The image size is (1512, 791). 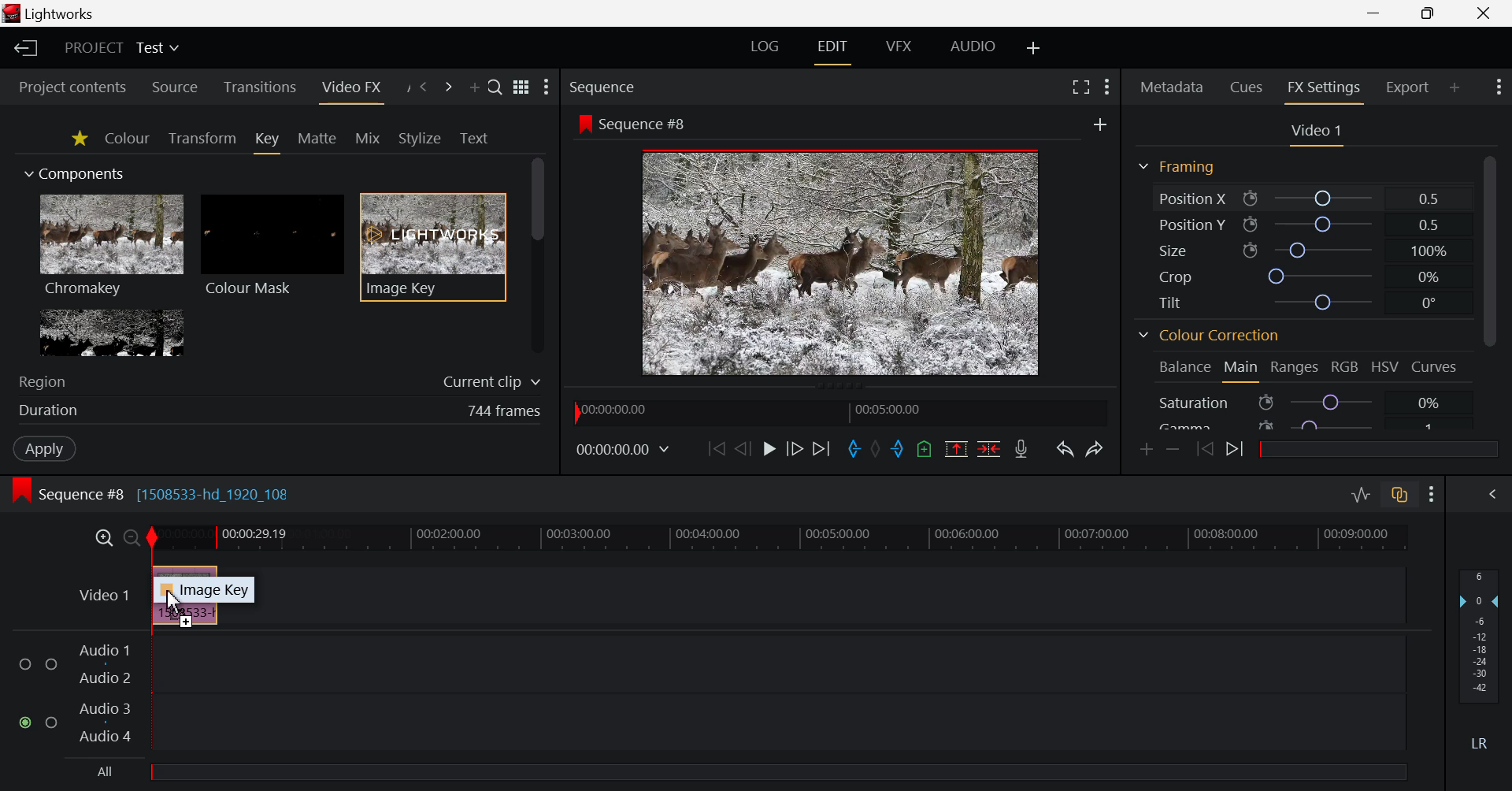 What do you see at coordinates (1383, 365) in the screenshot?
I see `HSV` at bounding box center [1383, 365].